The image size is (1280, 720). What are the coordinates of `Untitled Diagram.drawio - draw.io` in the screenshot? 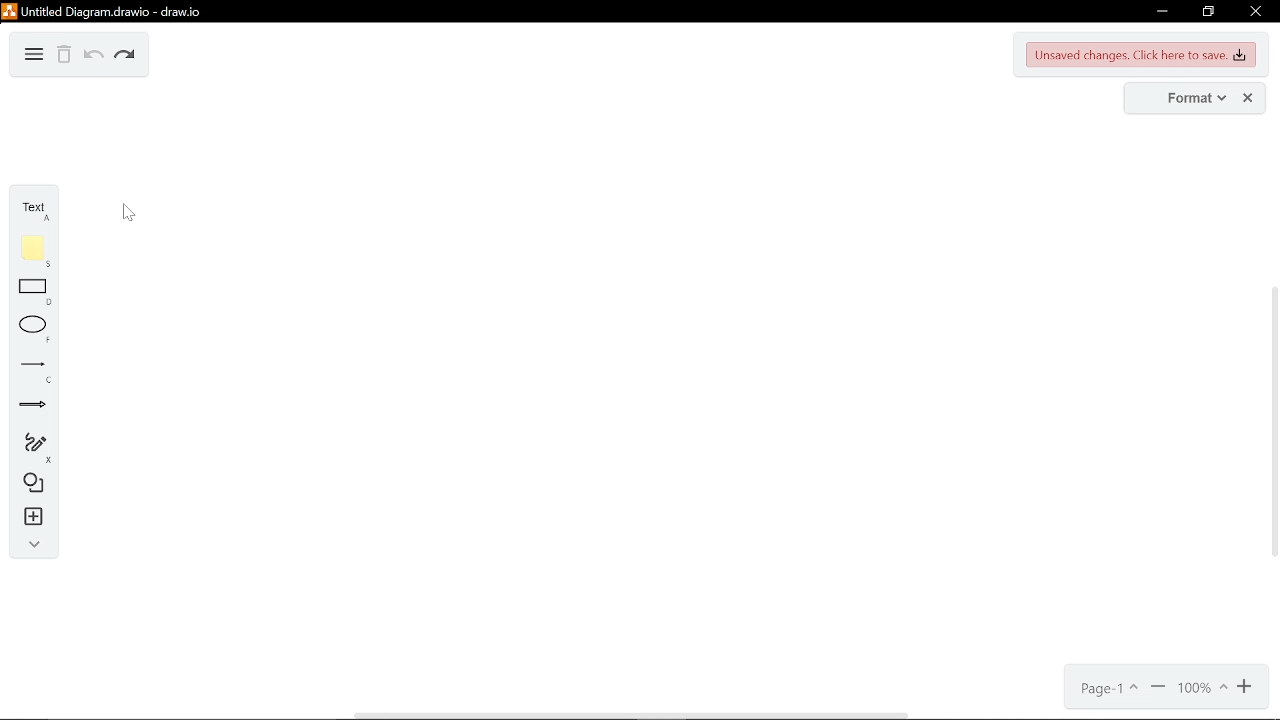 It's located at (103, 14).